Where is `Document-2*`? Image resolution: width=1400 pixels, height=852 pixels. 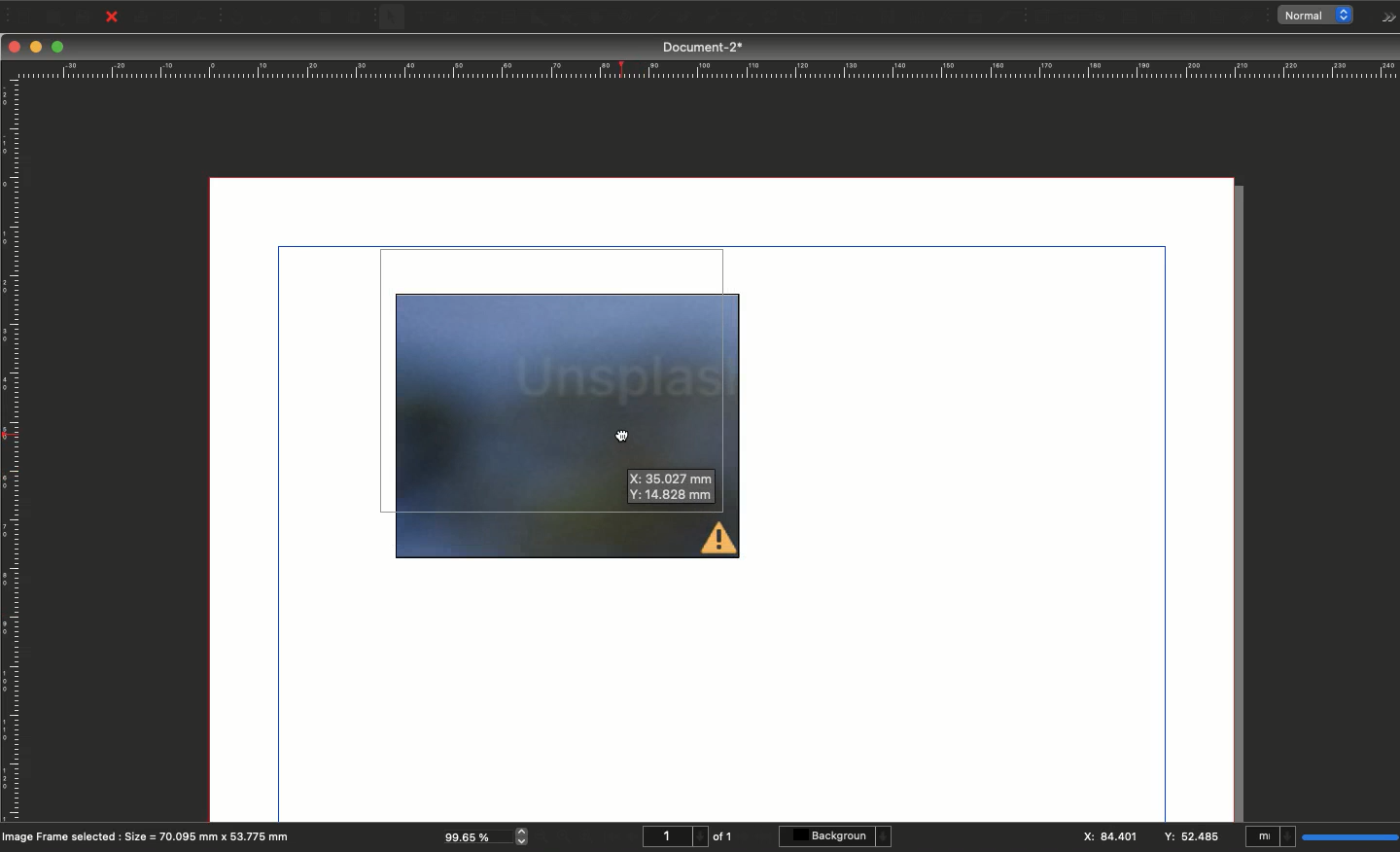 Document-2* is located at coordinates (705, 47).